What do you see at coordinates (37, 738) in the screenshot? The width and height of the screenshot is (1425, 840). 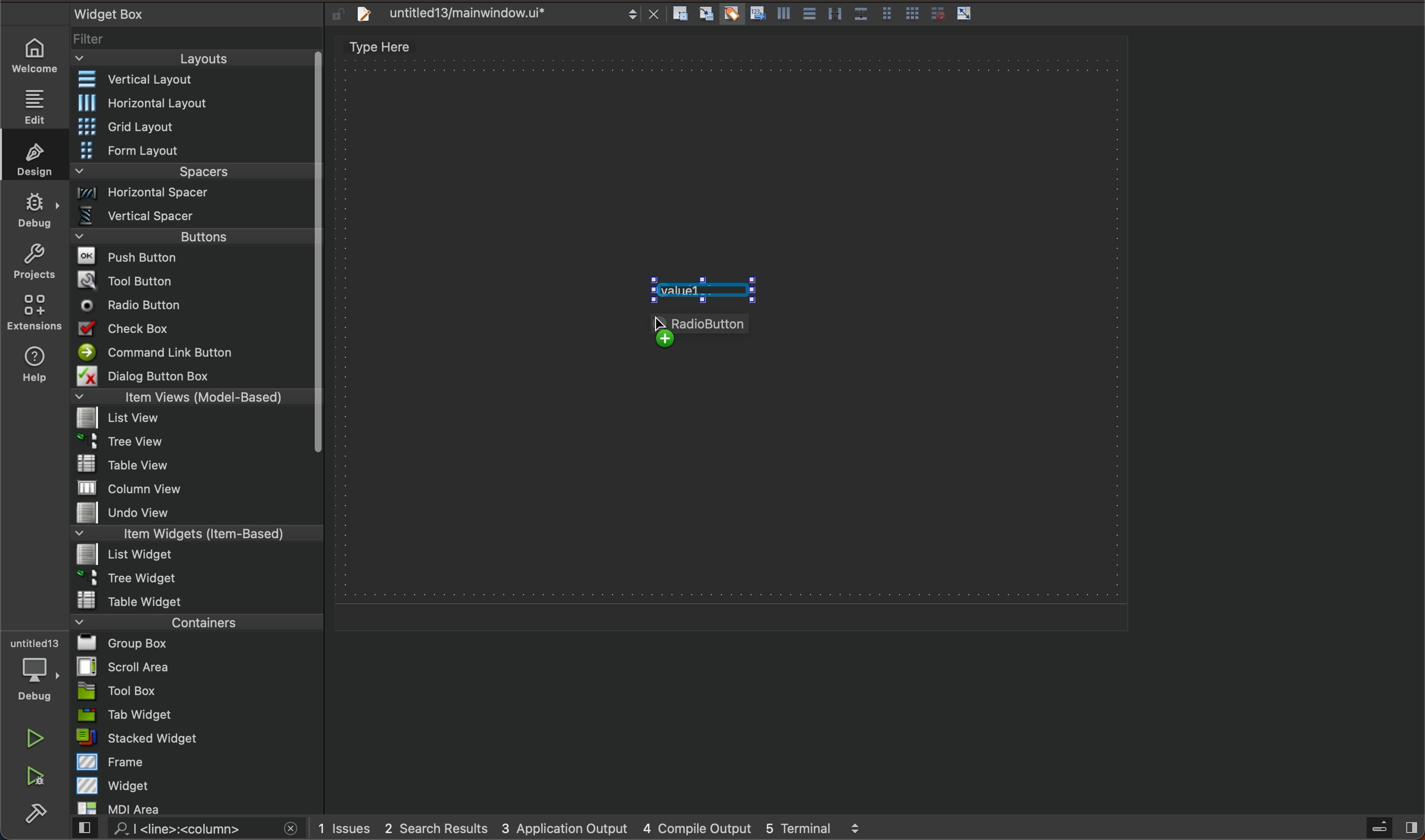 I see `run` at bounding box center [37, 738].